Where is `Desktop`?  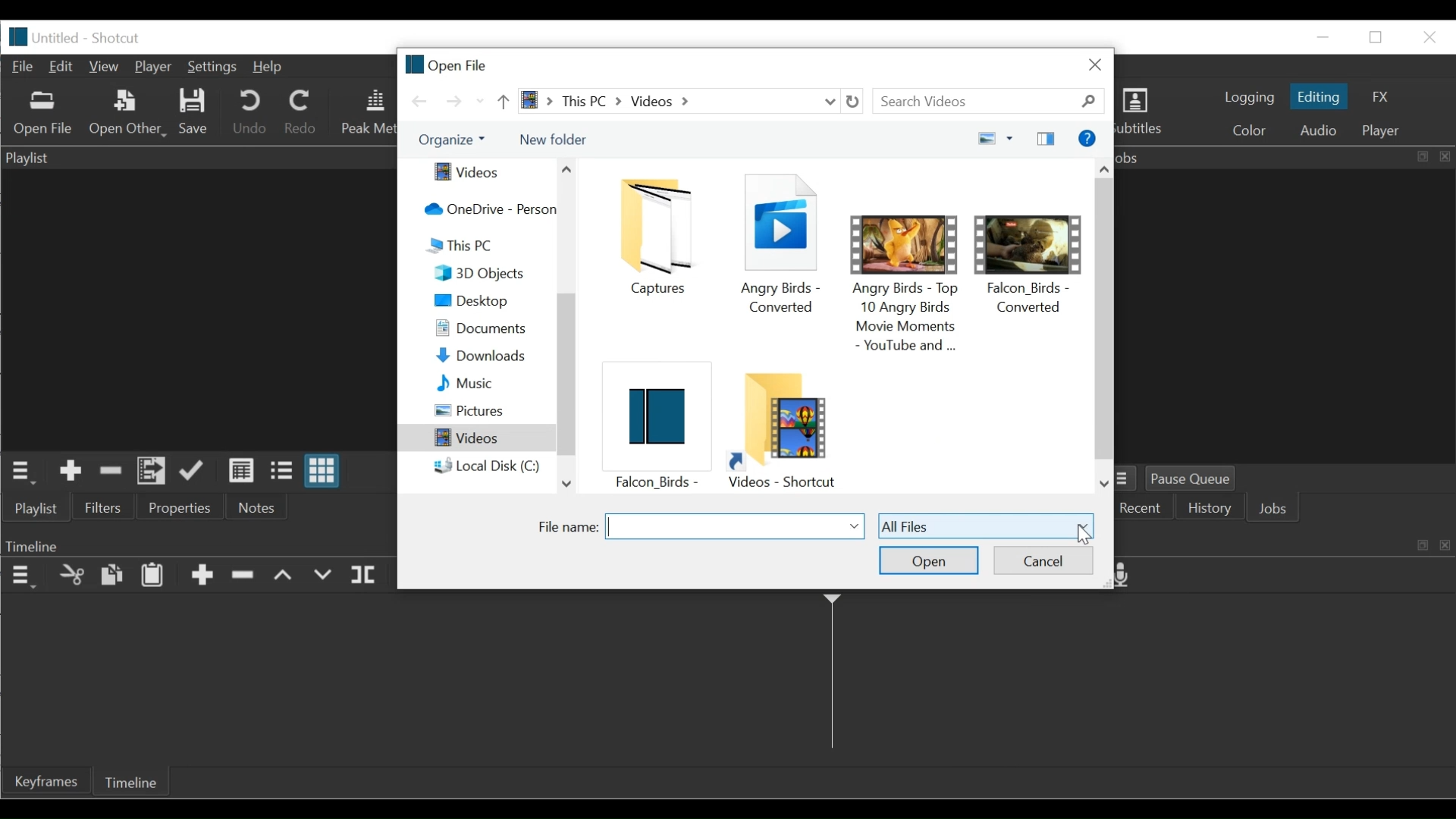 Desktop is located at coordinates (491, 300).